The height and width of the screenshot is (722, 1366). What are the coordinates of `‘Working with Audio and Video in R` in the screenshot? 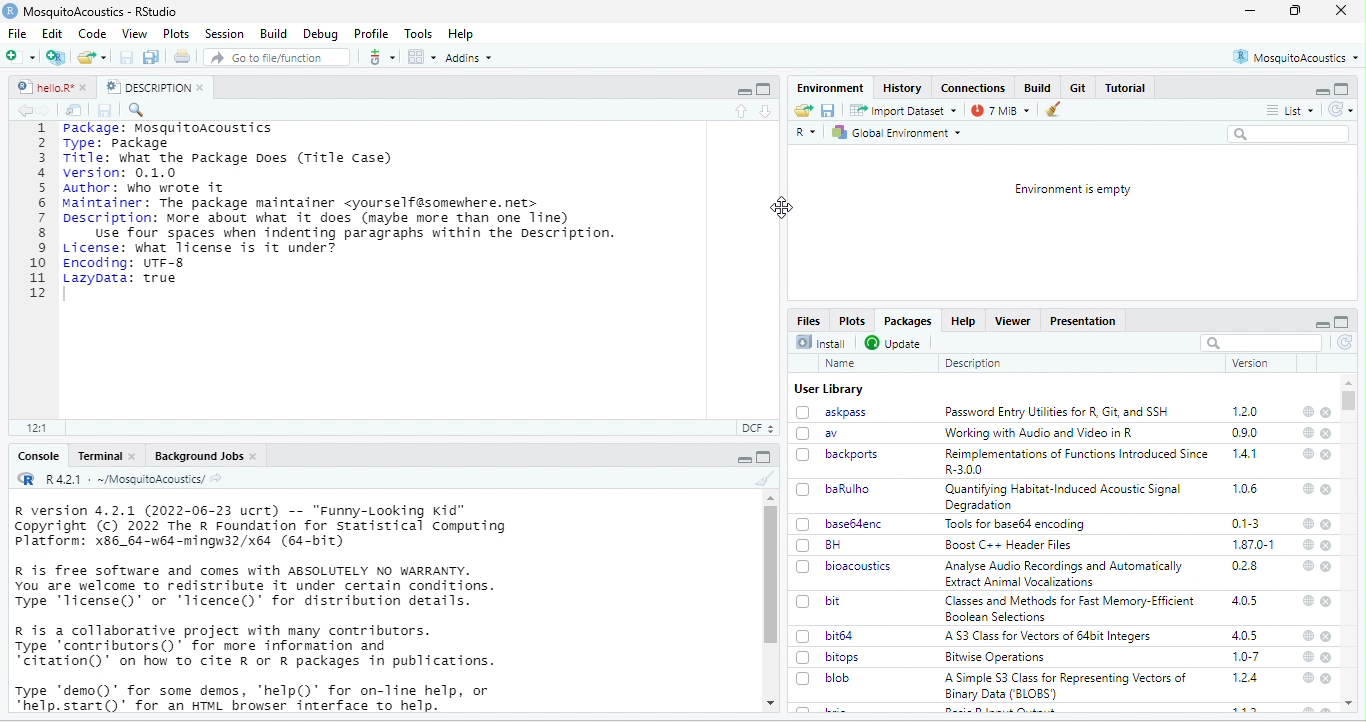 It's located at (1039, 432).